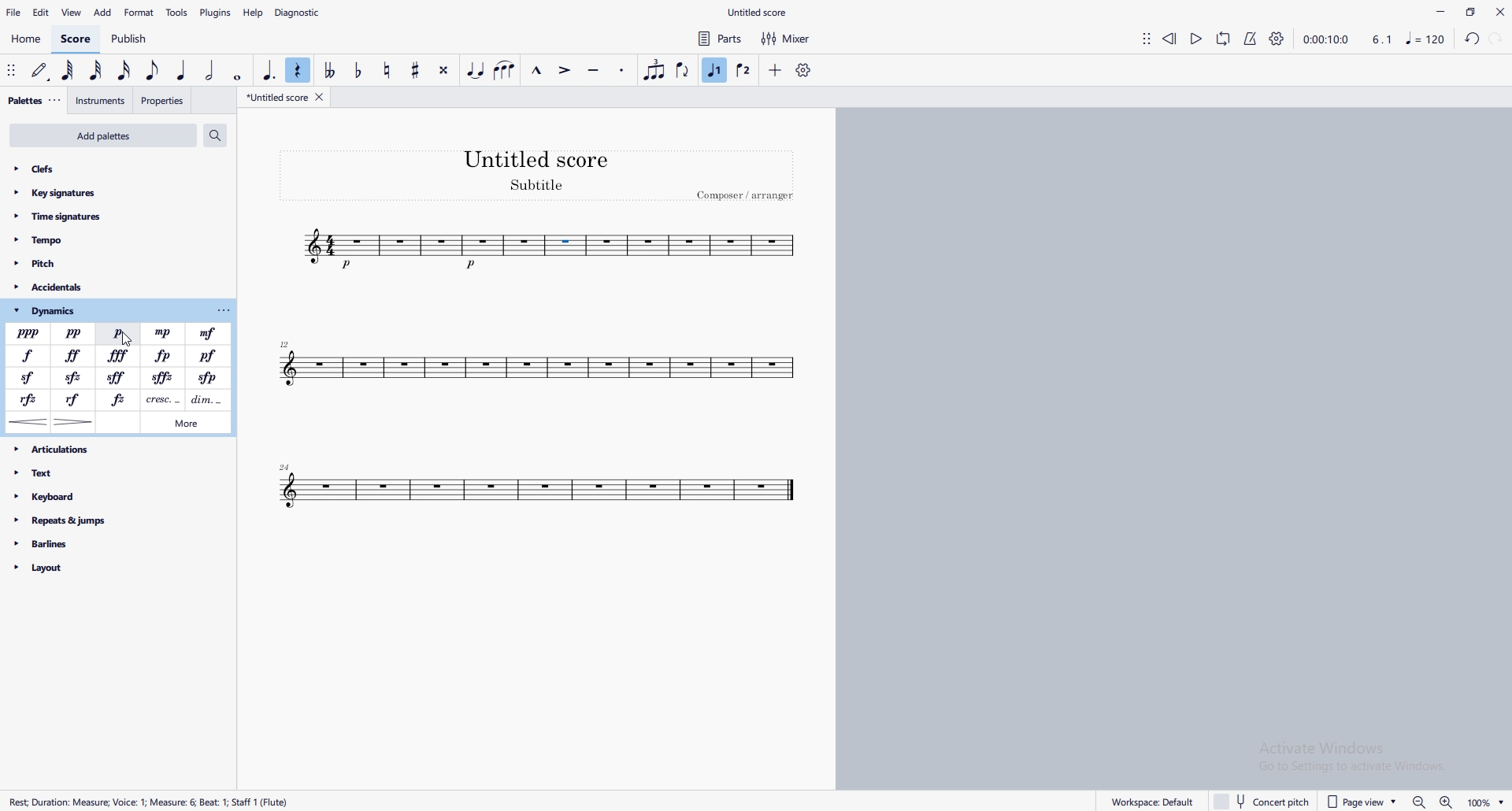 This screenshot has width=1512, height=811. Describe the element at coordinates (1471, 11) in the screenshot. I see `maximize` at that location.